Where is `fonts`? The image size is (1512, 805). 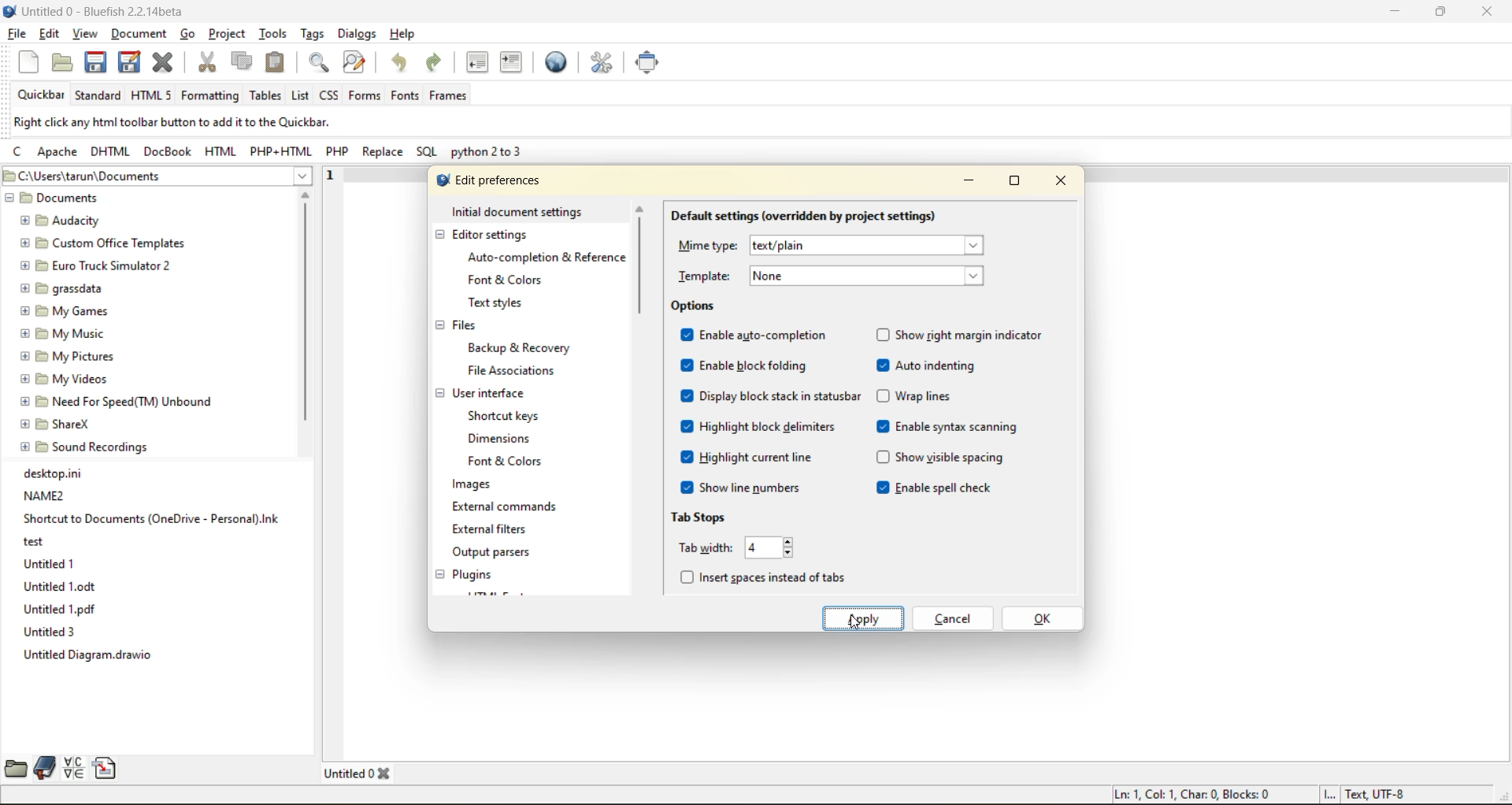 fonts is located at coordinates (405, 97).